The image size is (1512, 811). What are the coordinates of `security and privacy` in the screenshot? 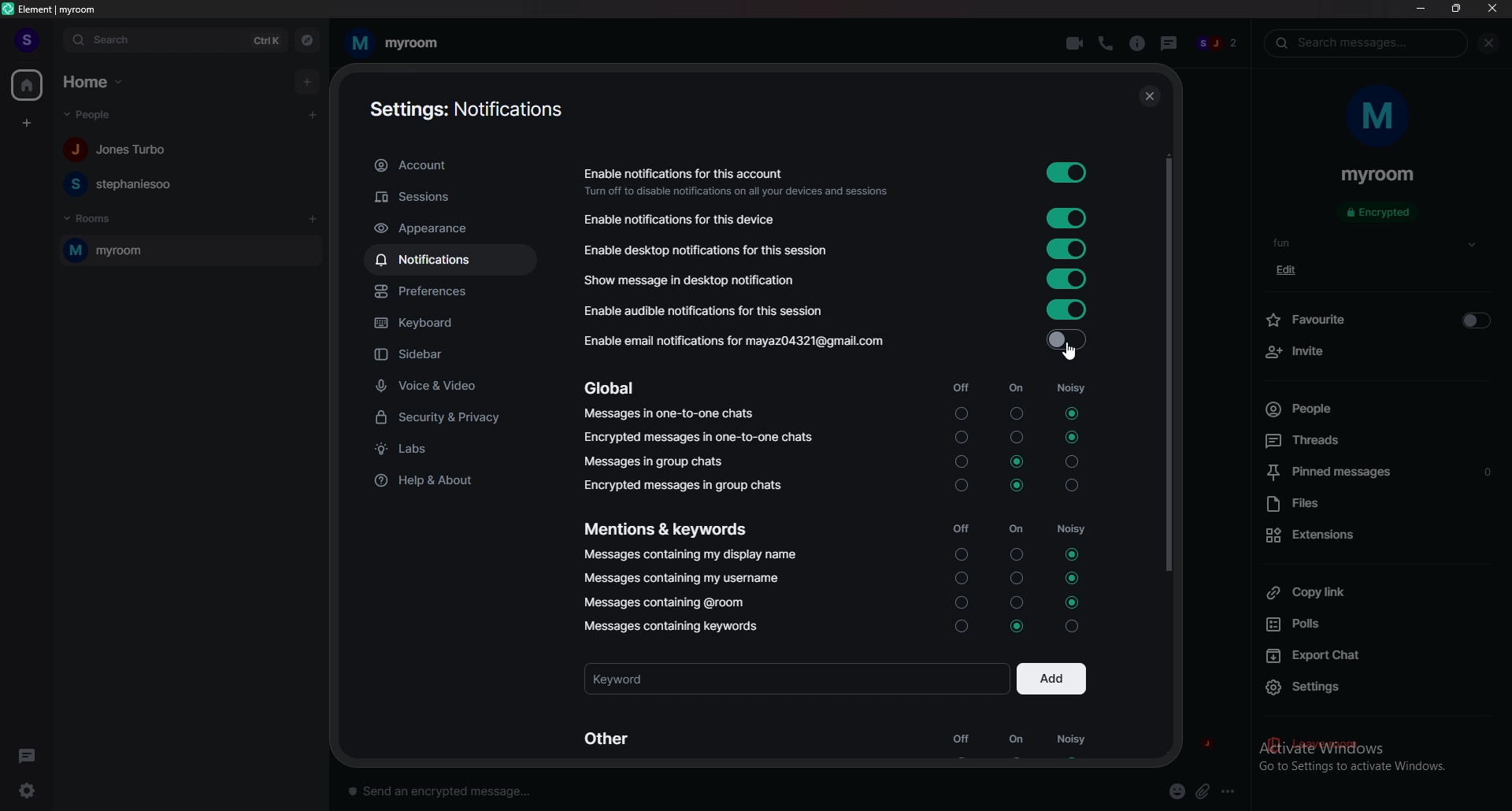 It's located at (450, 419).